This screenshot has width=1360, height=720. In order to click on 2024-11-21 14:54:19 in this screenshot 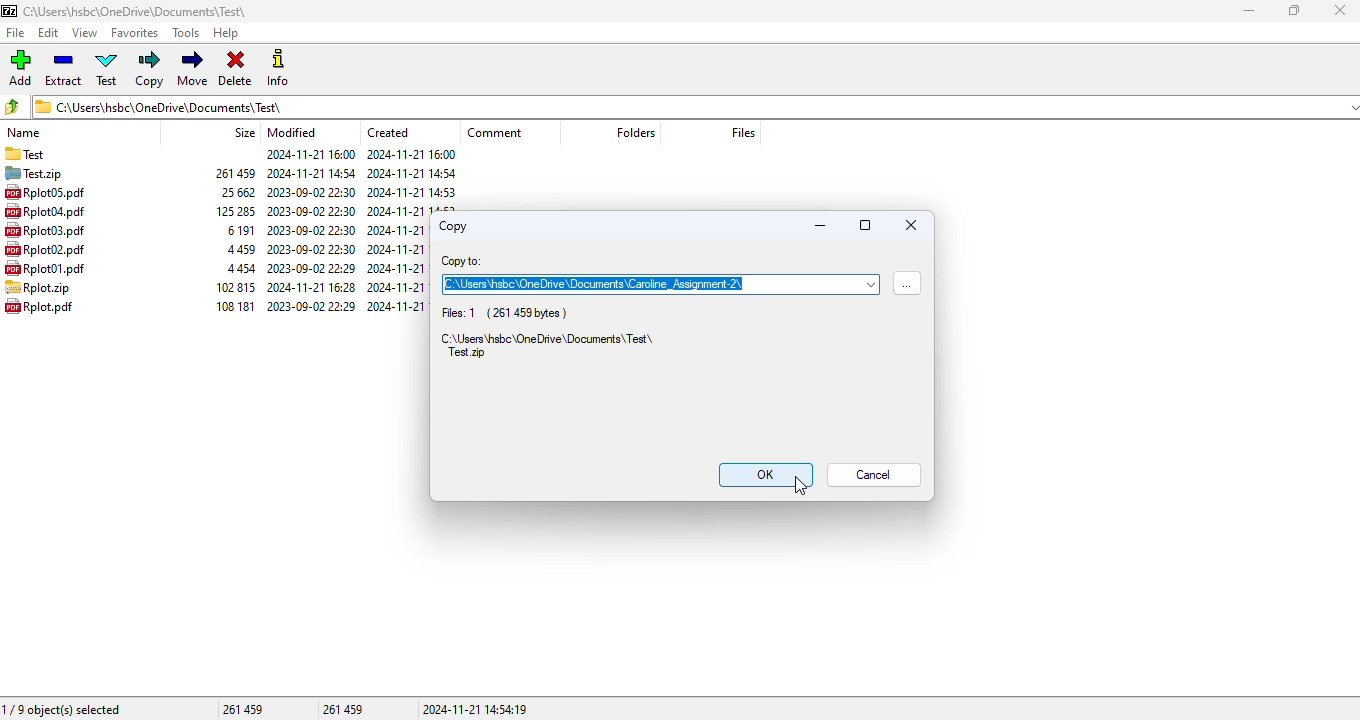, I will do `click(475, 709)`.